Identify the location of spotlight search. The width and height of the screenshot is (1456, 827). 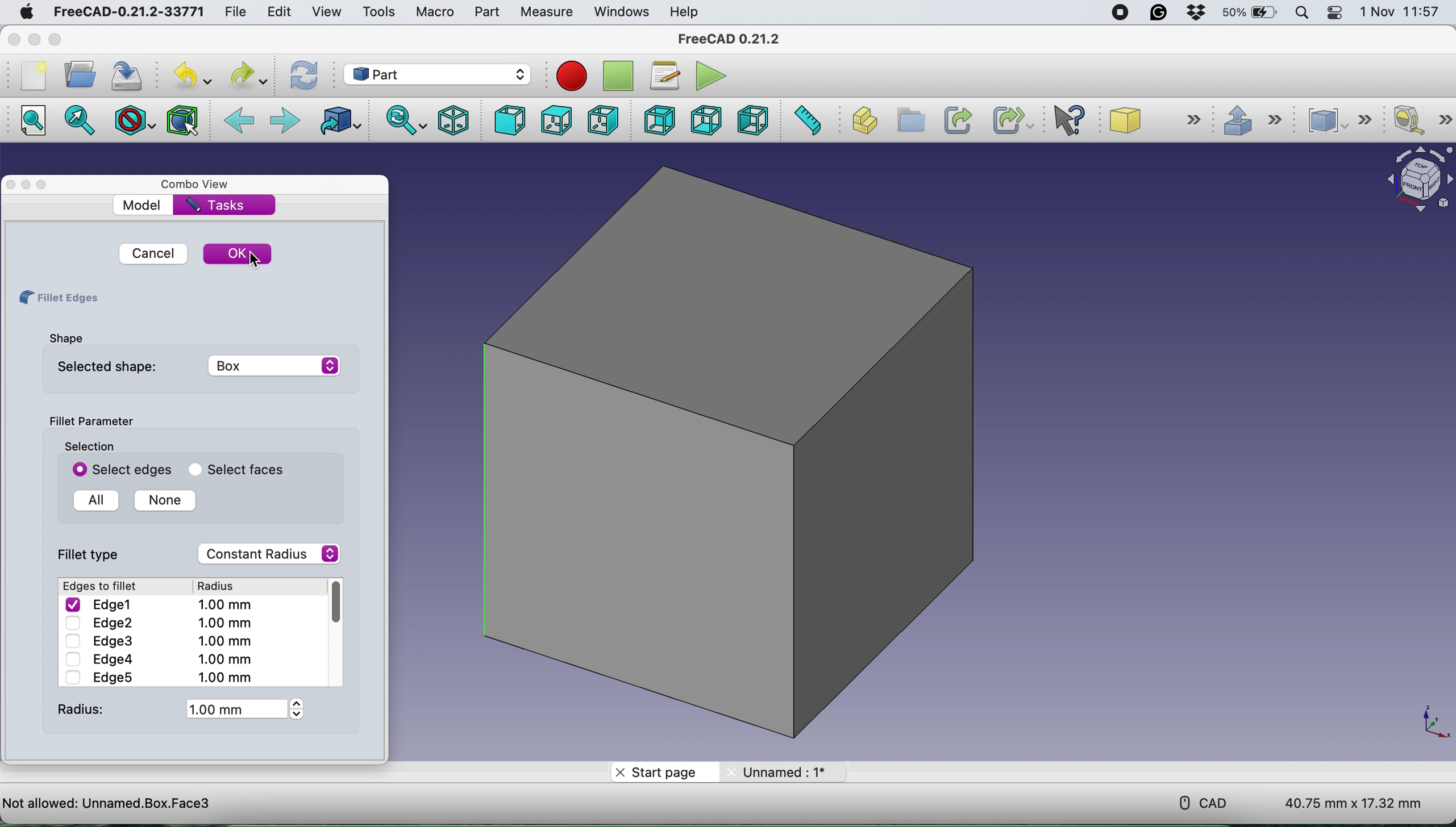
(1301, 14).